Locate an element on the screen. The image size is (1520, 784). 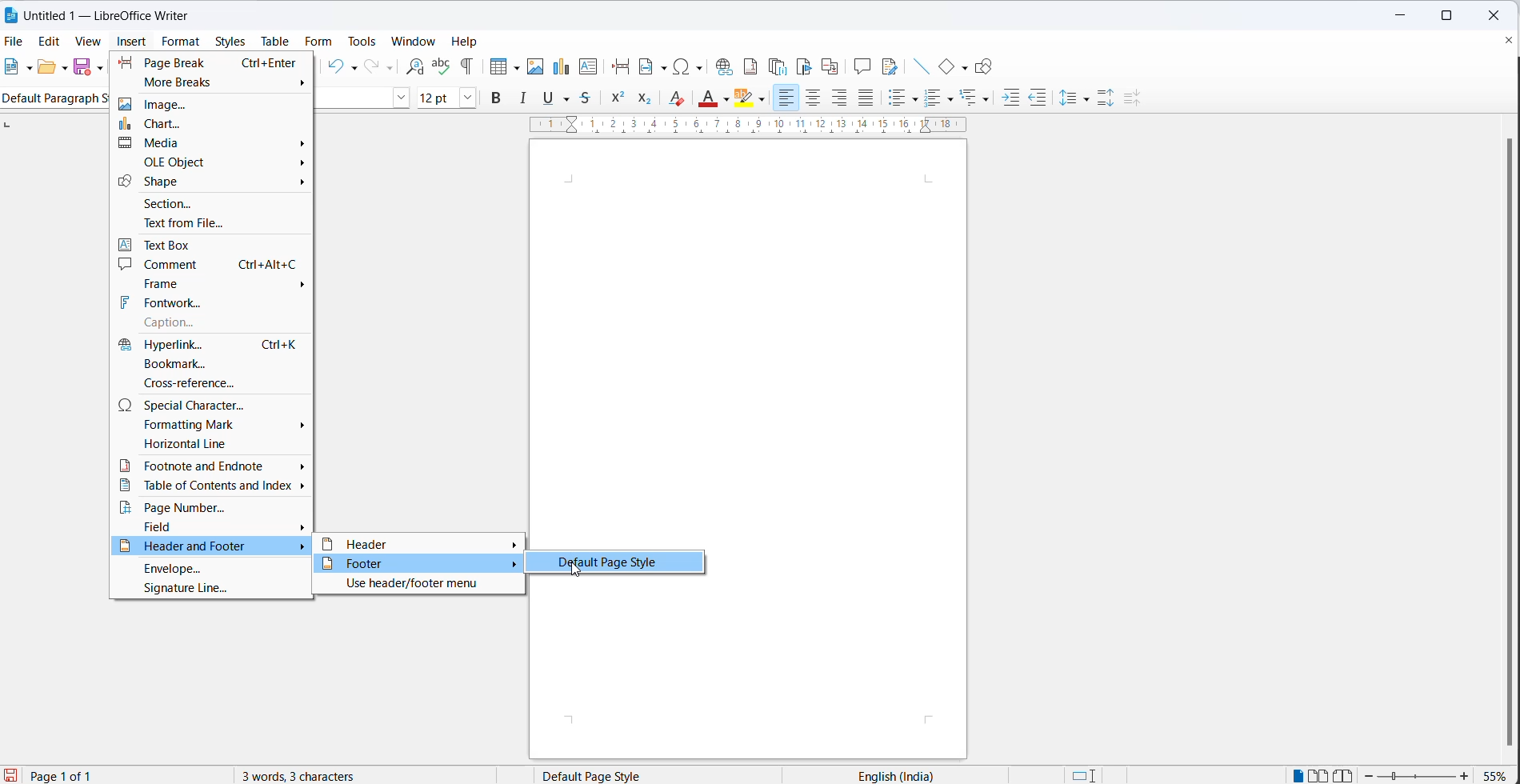
font name options is located at coordinates (399, 98).